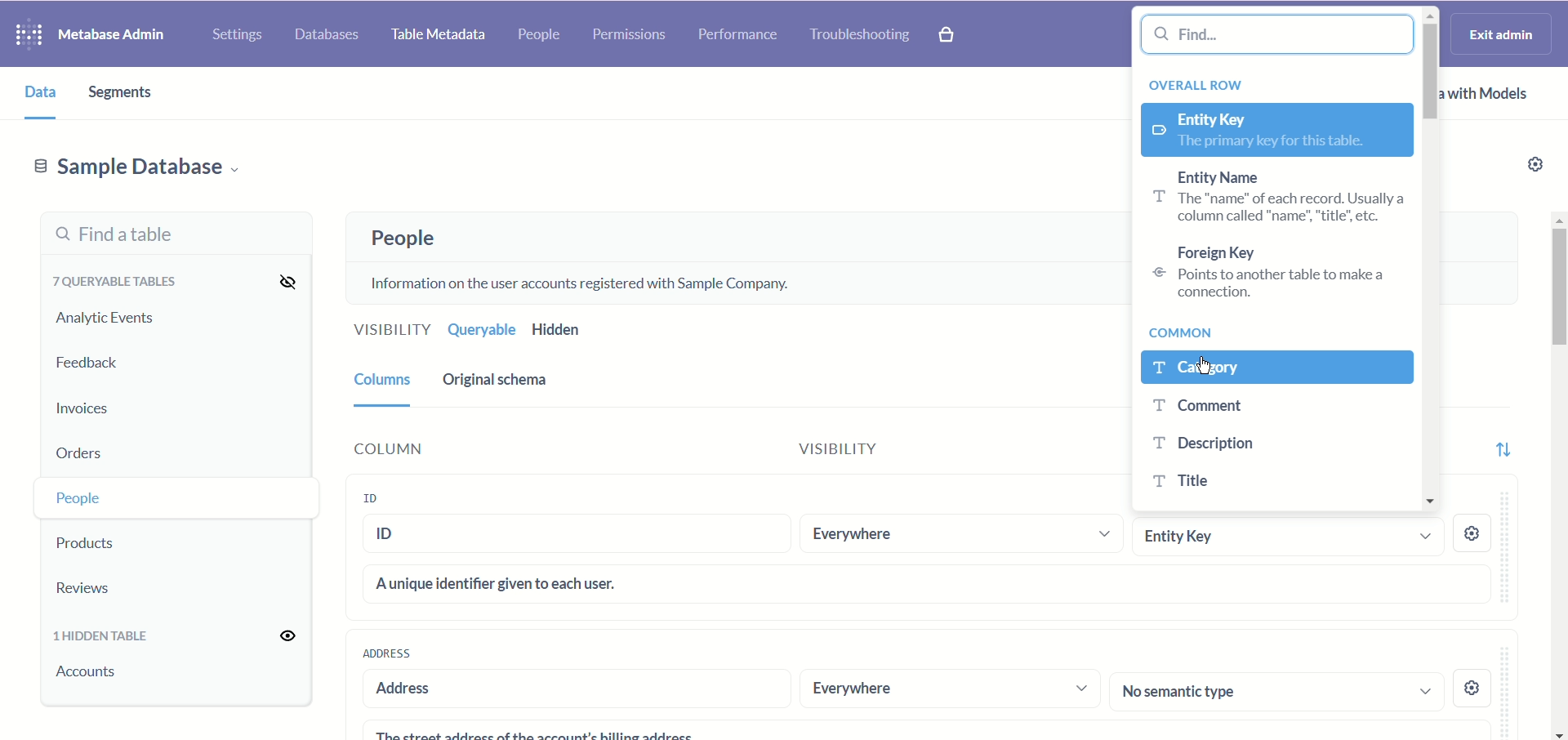 This screenshot has width=1568, height=740. Describe the element at coordinates (91, 681) in the screenshot. I see `Accounts` at that location.